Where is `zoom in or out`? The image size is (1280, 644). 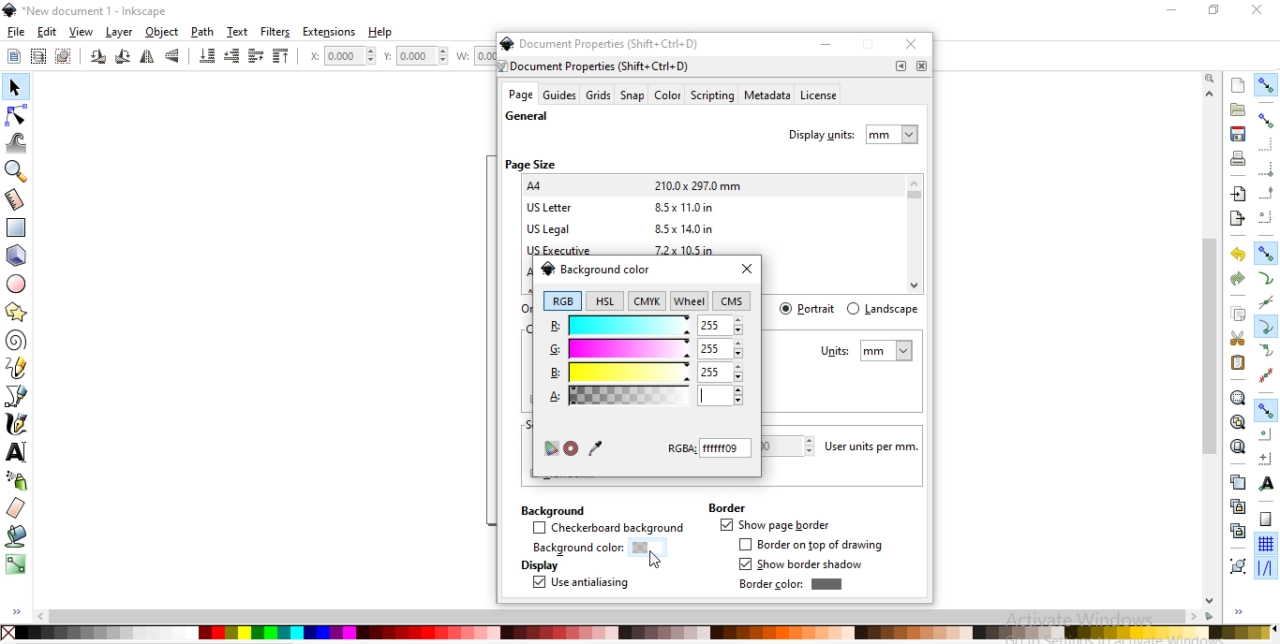
zoom in or out is located at coordinates (18, 171).